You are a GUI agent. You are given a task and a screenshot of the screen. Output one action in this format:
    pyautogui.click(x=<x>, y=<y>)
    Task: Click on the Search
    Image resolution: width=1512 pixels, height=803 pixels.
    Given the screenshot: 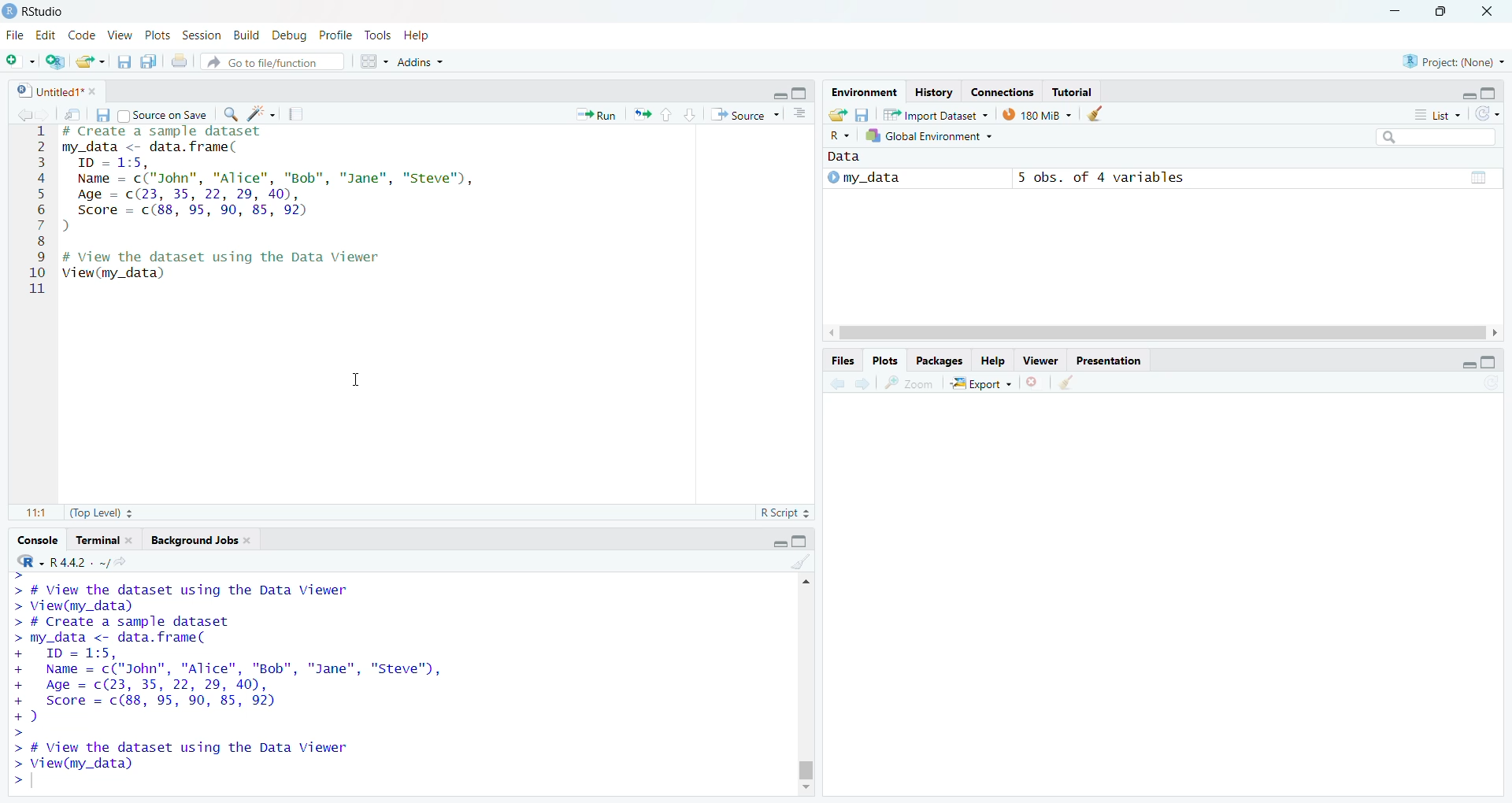 What is the action you would take?
    pyautogui.click(x=1437, y=136)
    